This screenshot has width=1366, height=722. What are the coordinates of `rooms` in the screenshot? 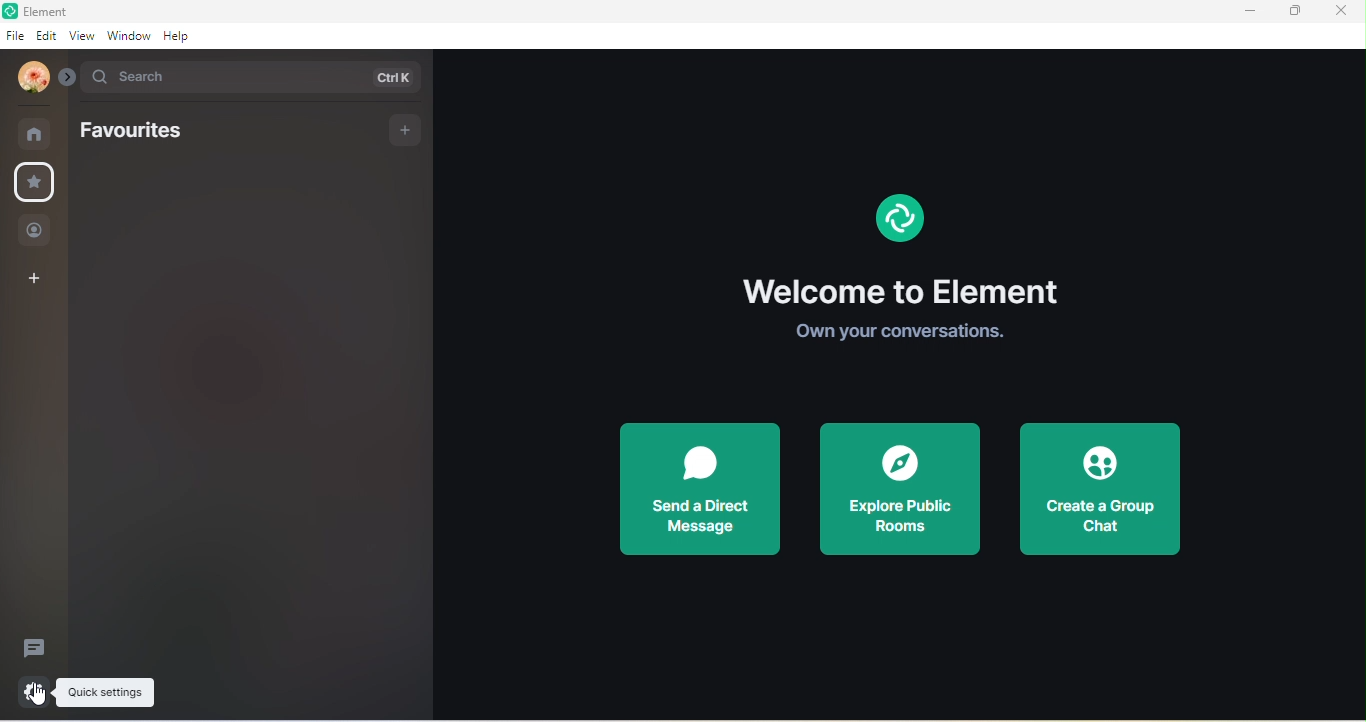 It's located at (35, 133).